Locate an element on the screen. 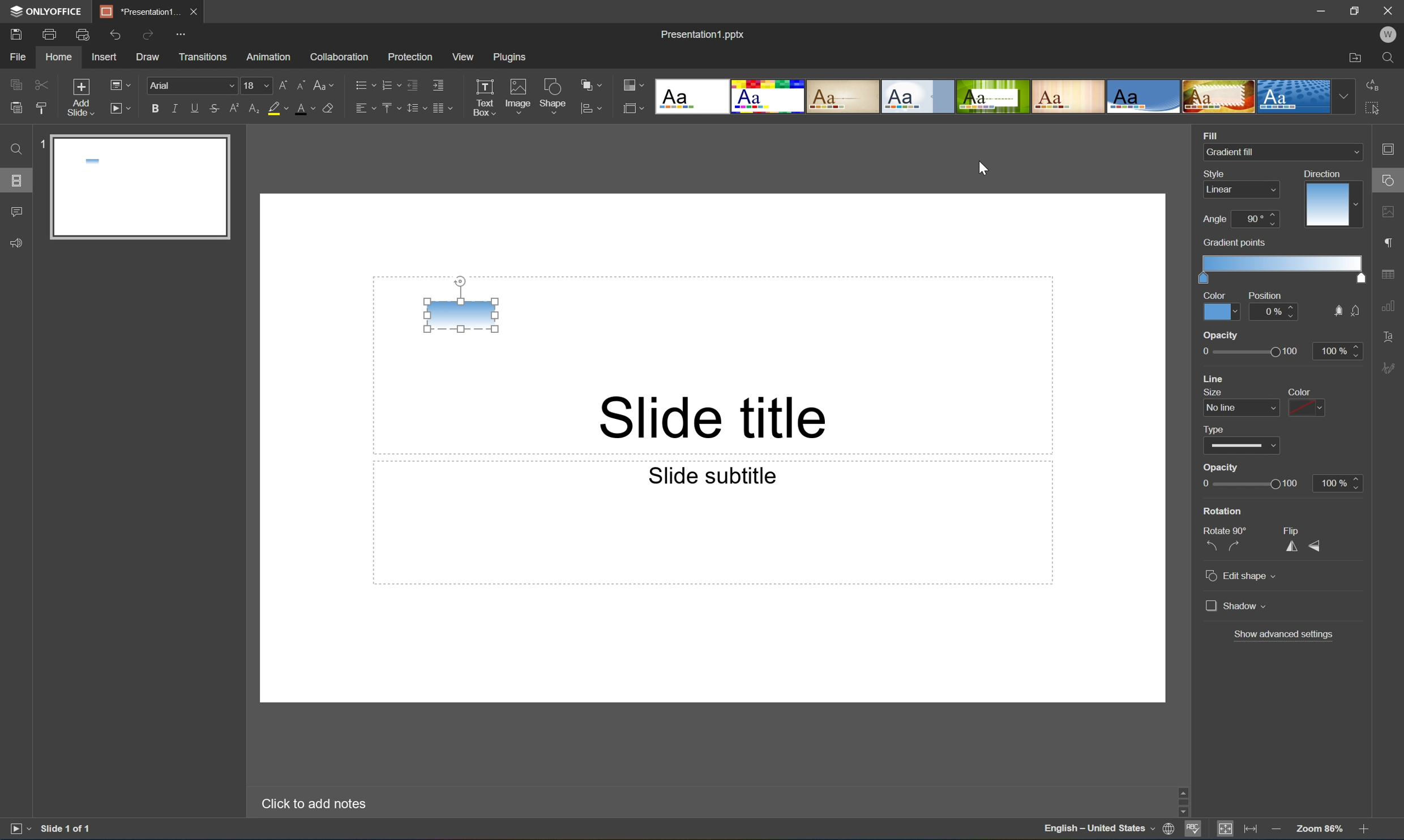 Image resolution: width=1404 pixels, height=840 pixels. Slide settings is located at coordinates (1392, 149).